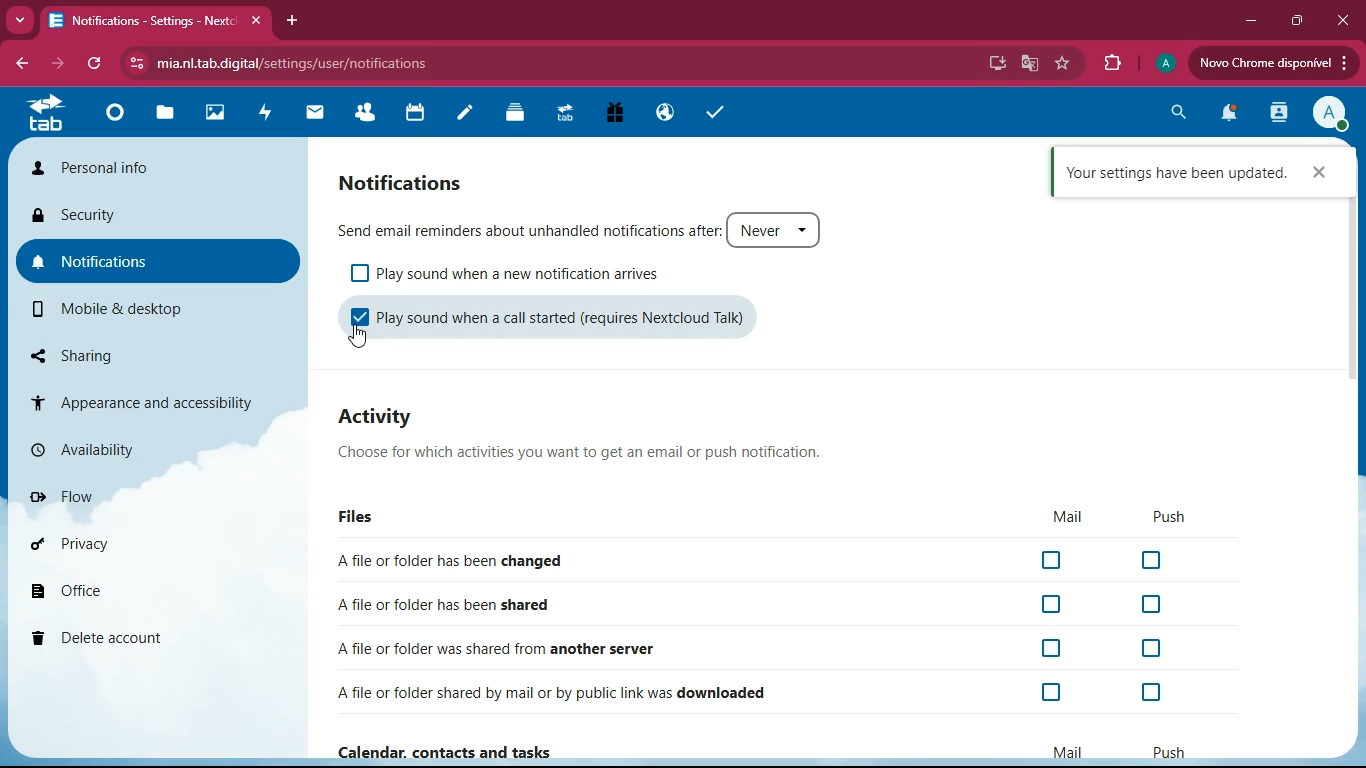 Image resolution: width=1366 pixels, height=768 pixels. Describe the element at coordinates (99, 168) in the screenshot. I see `personal info` at that location.